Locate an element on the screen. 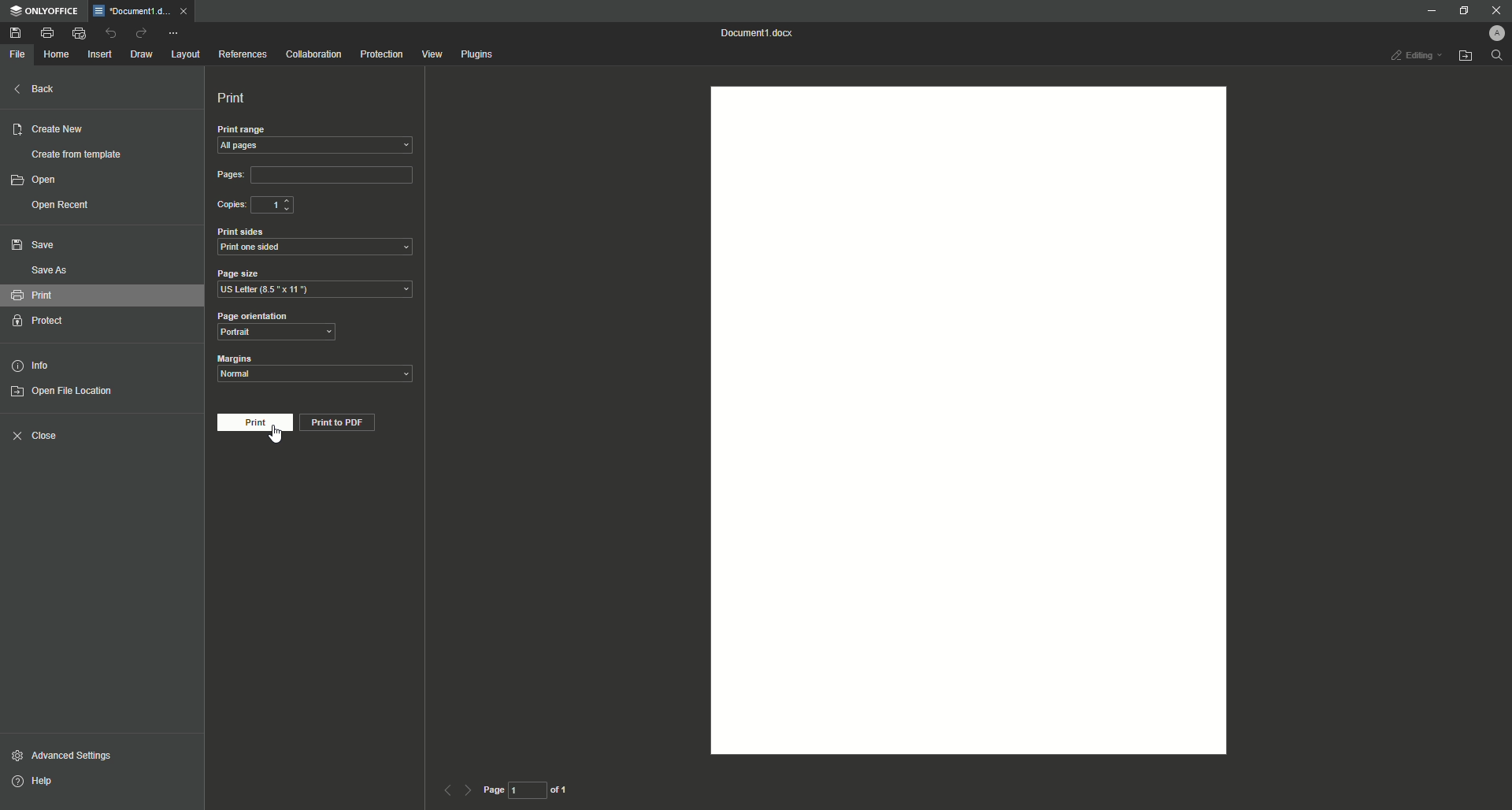 The width and height of the screenshot is (1512, 810). Close is located at coordinates (40, 437).